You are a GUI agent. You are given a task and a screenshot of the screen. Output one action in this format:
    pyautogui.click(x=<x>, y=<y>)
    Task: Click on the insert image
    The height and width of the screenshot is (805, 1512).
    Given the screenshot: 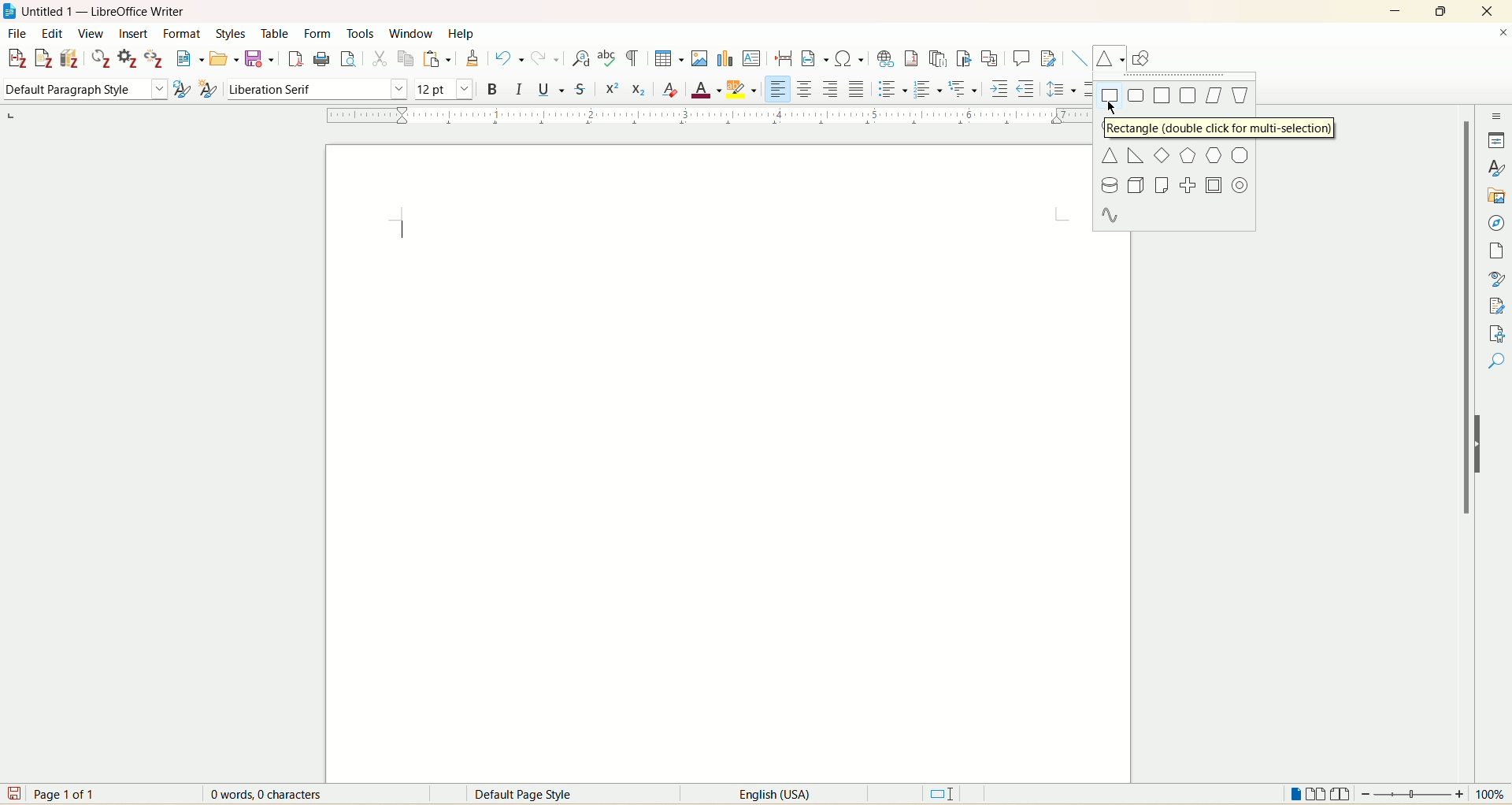 What is the action you would take?
    pyautogui.click(x=702, y=57)
    